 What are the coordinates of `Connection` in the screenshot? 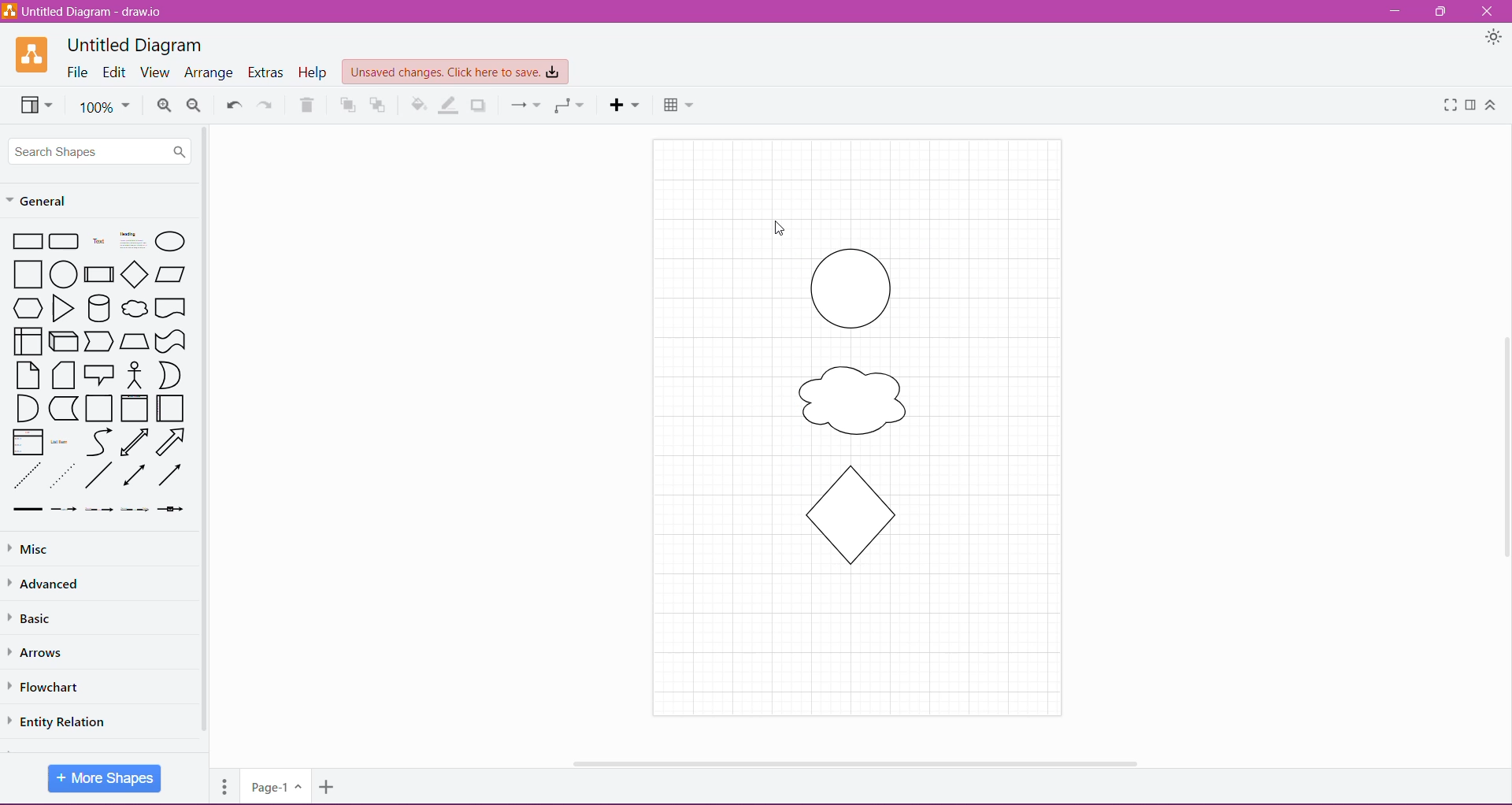 It's located at (522, 104).